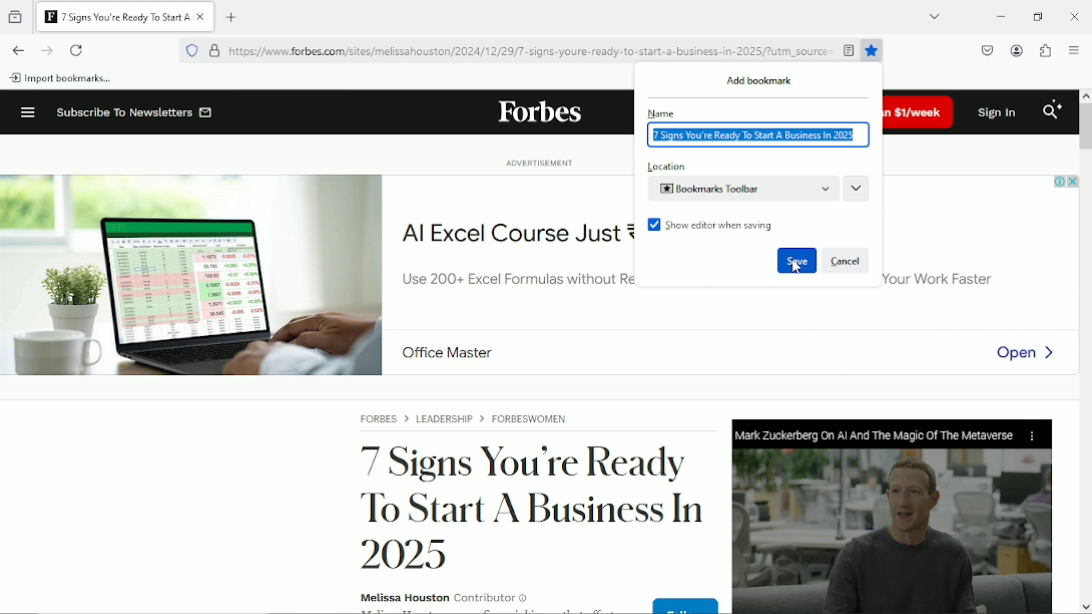 Image resolution: width=1092 pixels, height=614 pixels. Describe the element at coordinates (25, 111) in the screenshot. I see `Menu` at that location.